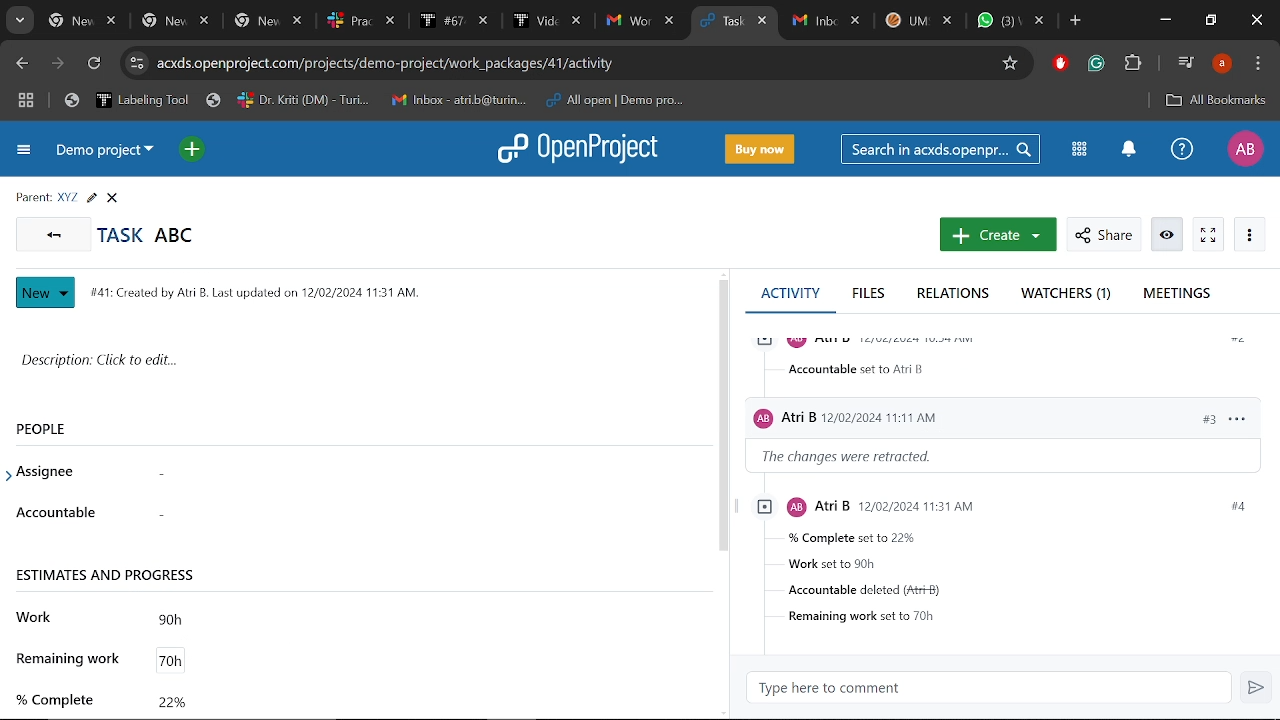  I want to click on Expand project menu, so click(22, 152).